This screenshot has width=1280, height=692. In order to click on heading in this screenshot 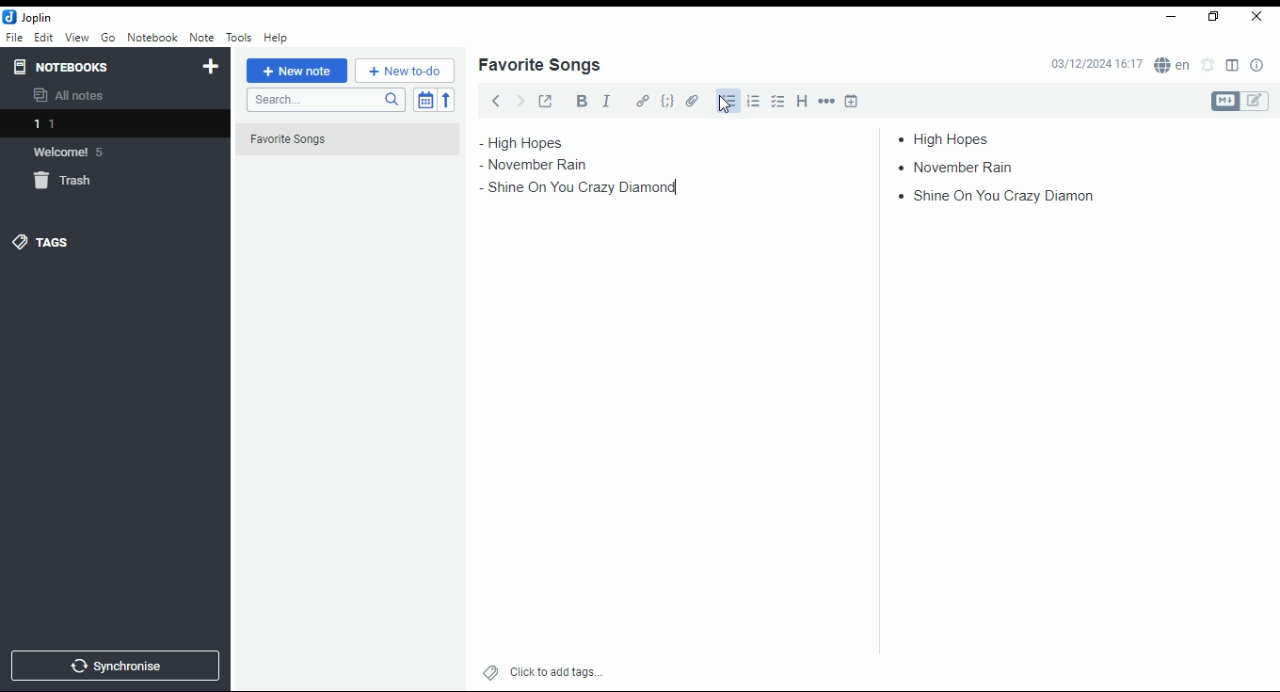, I will do `click(803, 99)`.